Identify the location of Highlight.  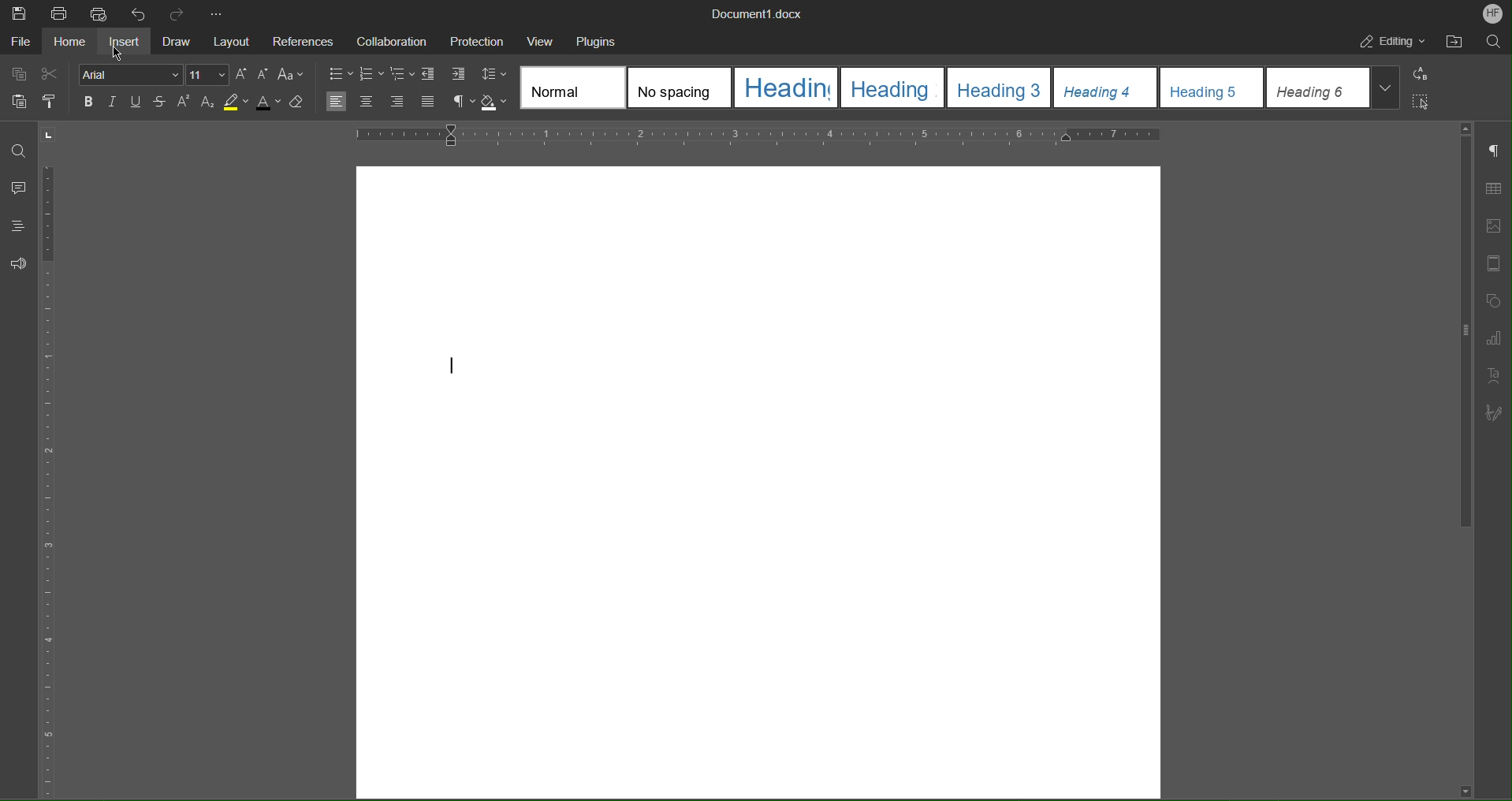
(236, 103).